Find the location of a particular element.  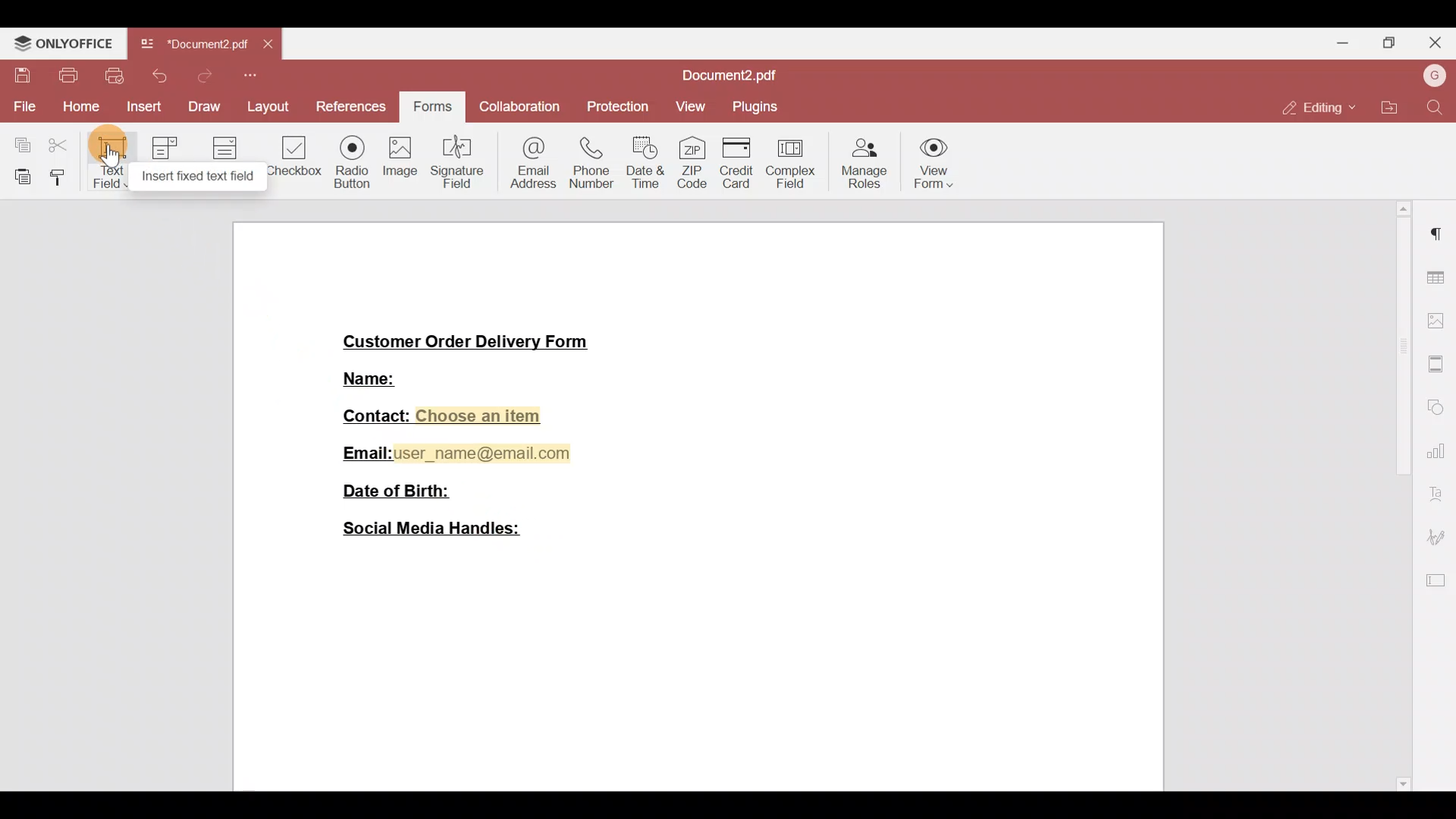

Name: is located at coordinates (367, 380).